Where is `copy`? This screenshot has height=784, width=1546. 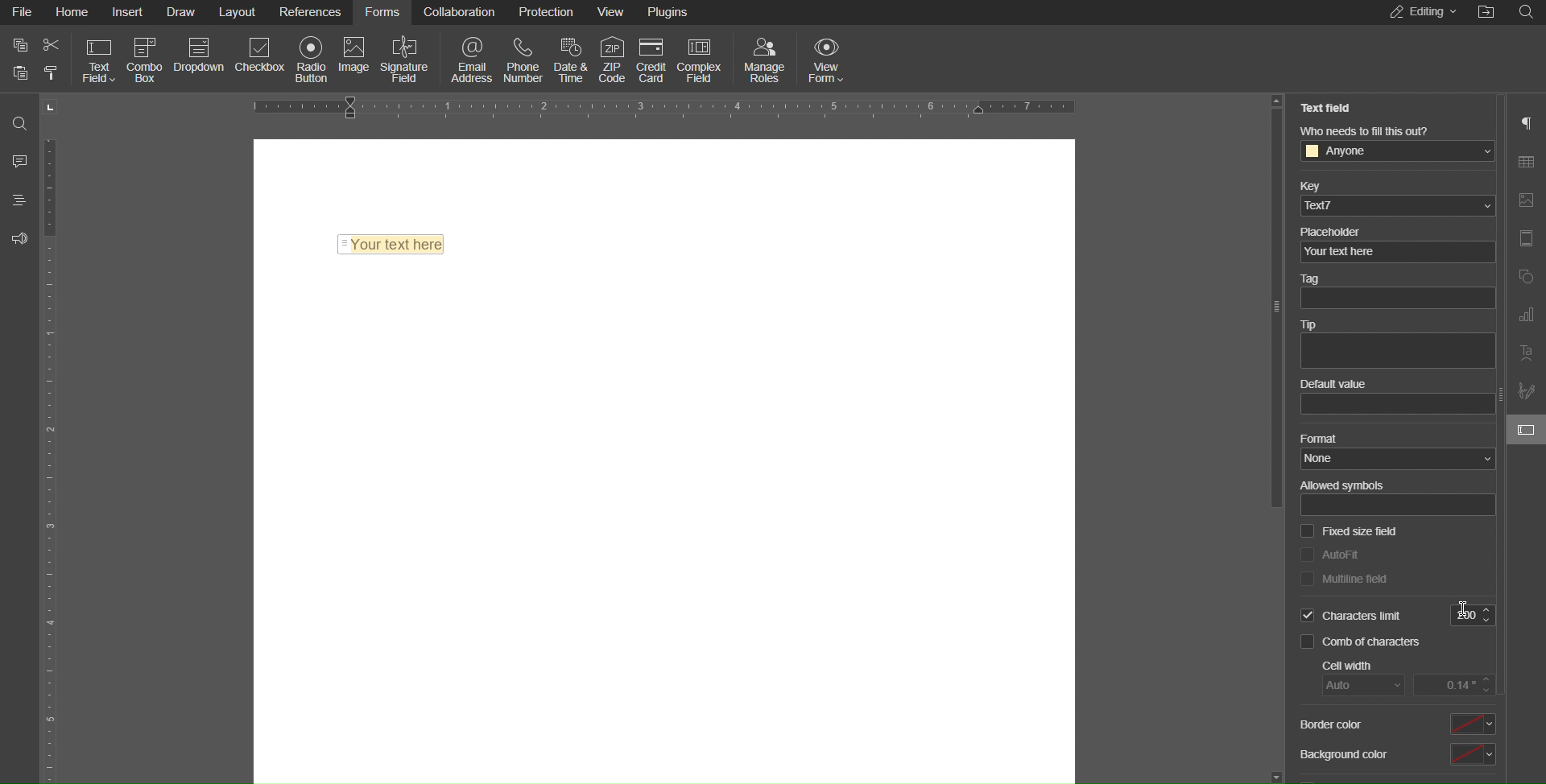
copy is located at coordinates (19, 45).